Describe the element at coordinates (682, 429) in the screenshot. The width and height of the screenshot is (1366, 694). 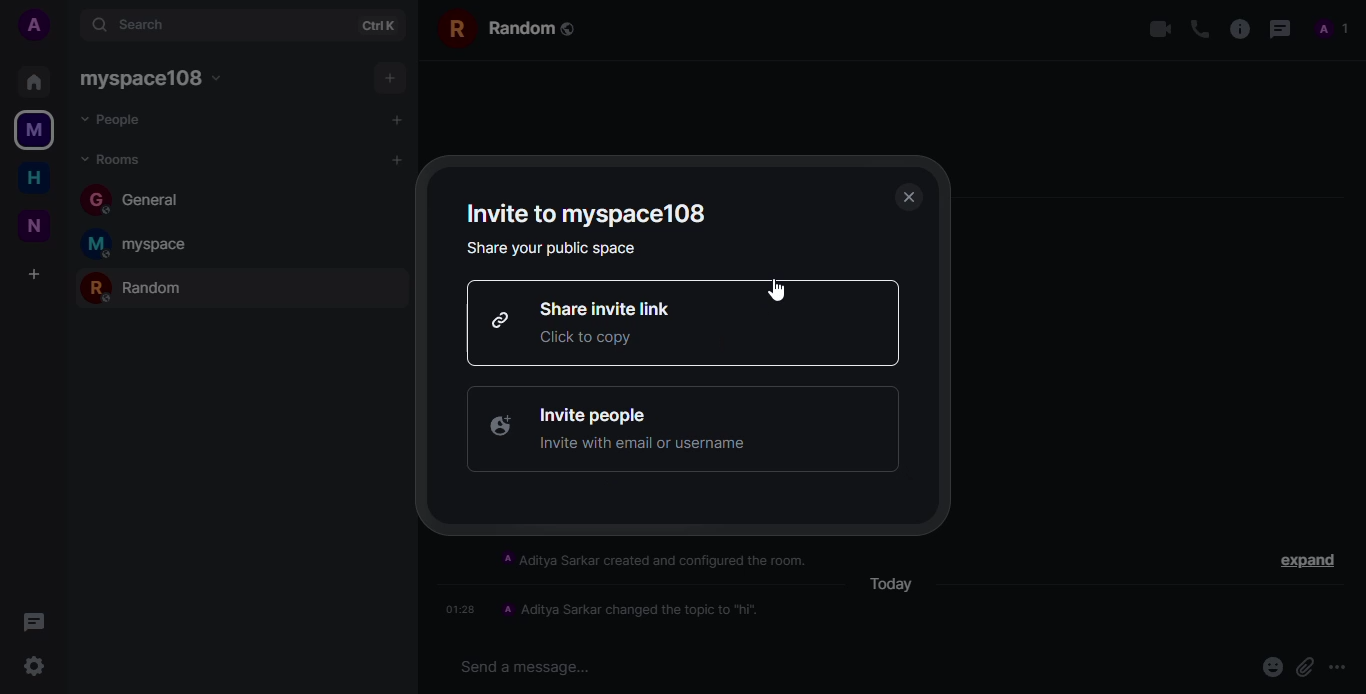
I see `invite people` at that location.